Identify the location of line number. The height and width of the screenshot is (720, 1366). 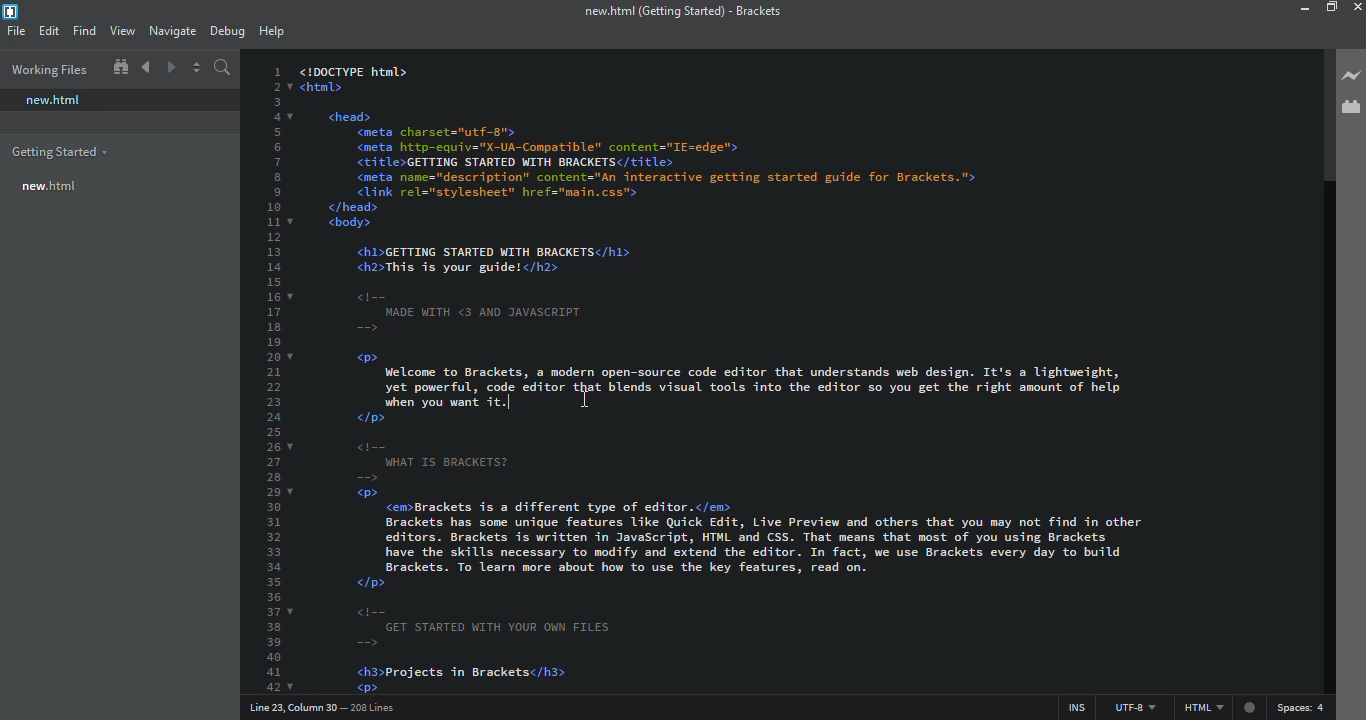
(277, 374).